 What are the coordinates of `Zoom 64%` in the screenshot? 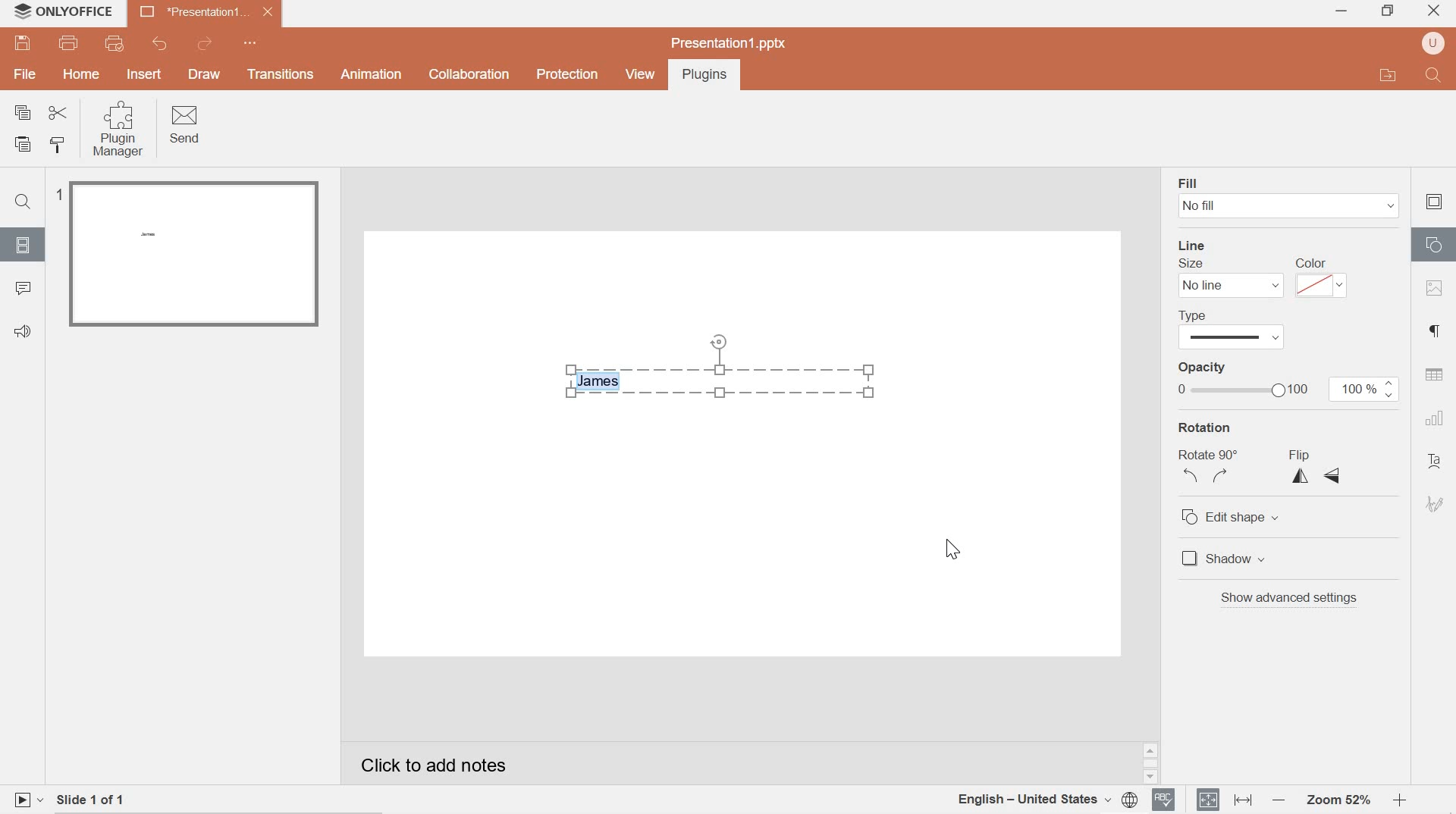 It's located at (1337, 800).